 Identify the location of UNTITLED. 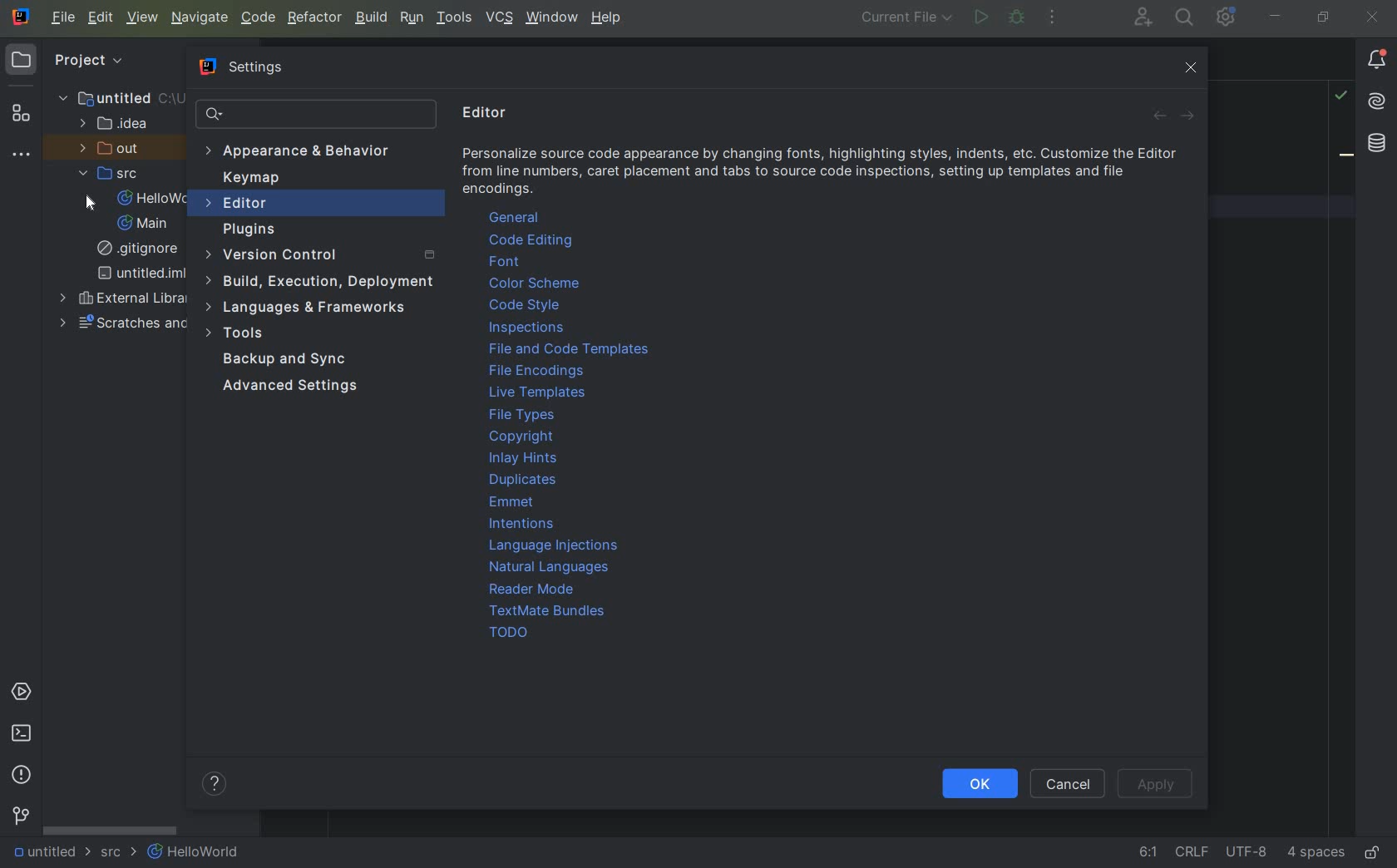
(116, 99).